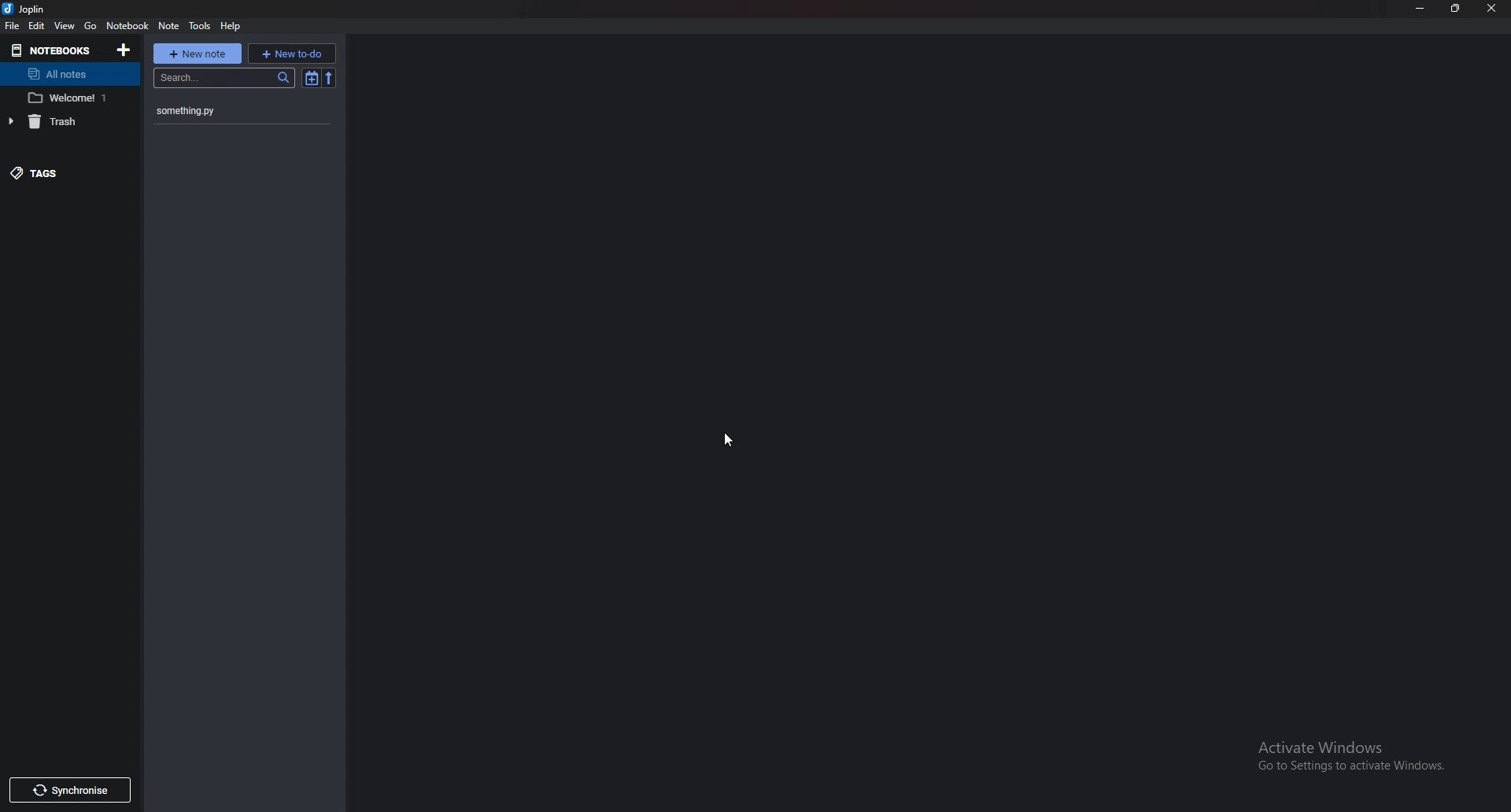 This screenshot has width=1511, height=812. What do you see at coordinates (12, 26) in the screenshot?
I see `file` at bounding box center [12, 26].